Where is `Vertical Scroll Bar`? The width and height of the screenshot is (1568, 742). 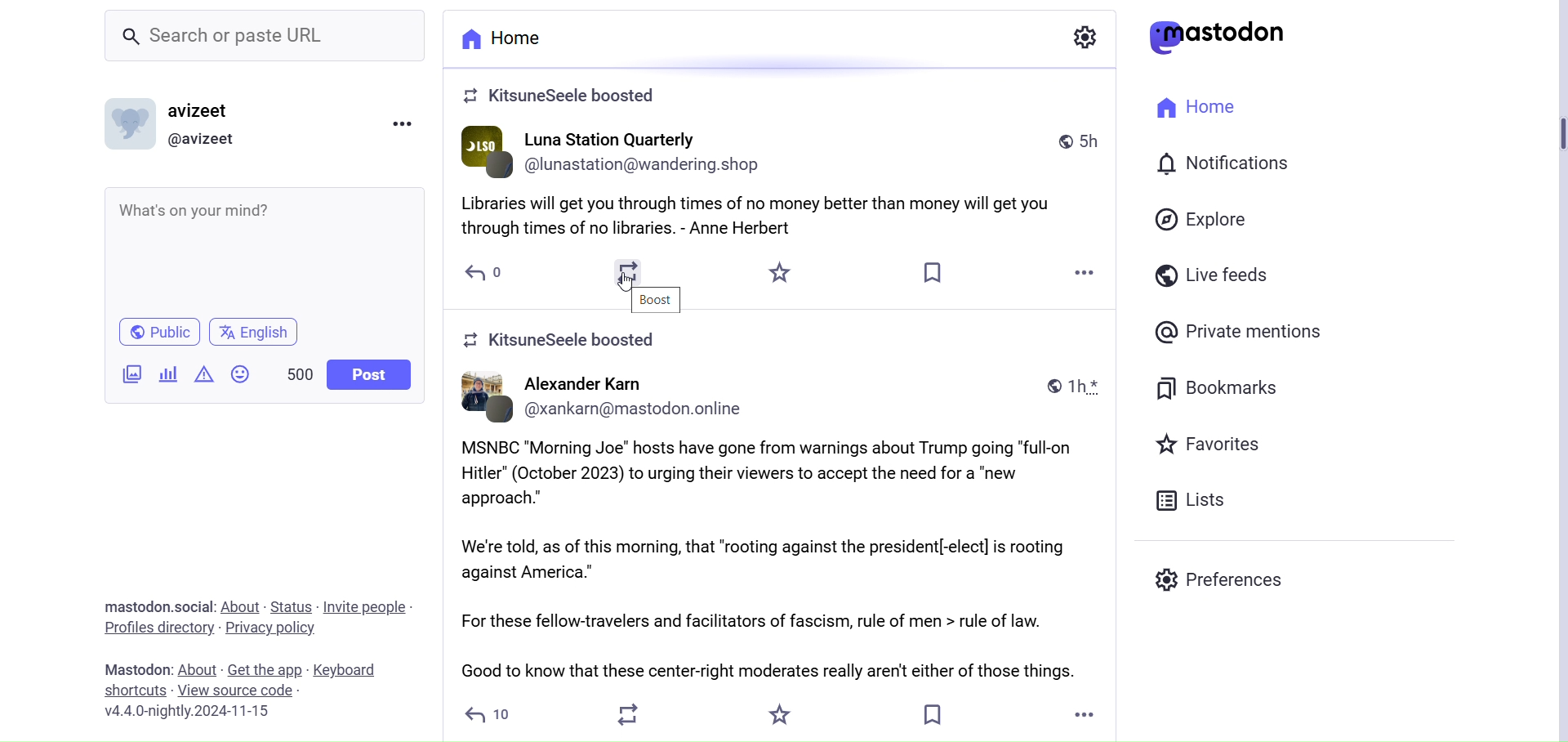 Vertical Scroll Bar is located at coordinates (1553, 372).